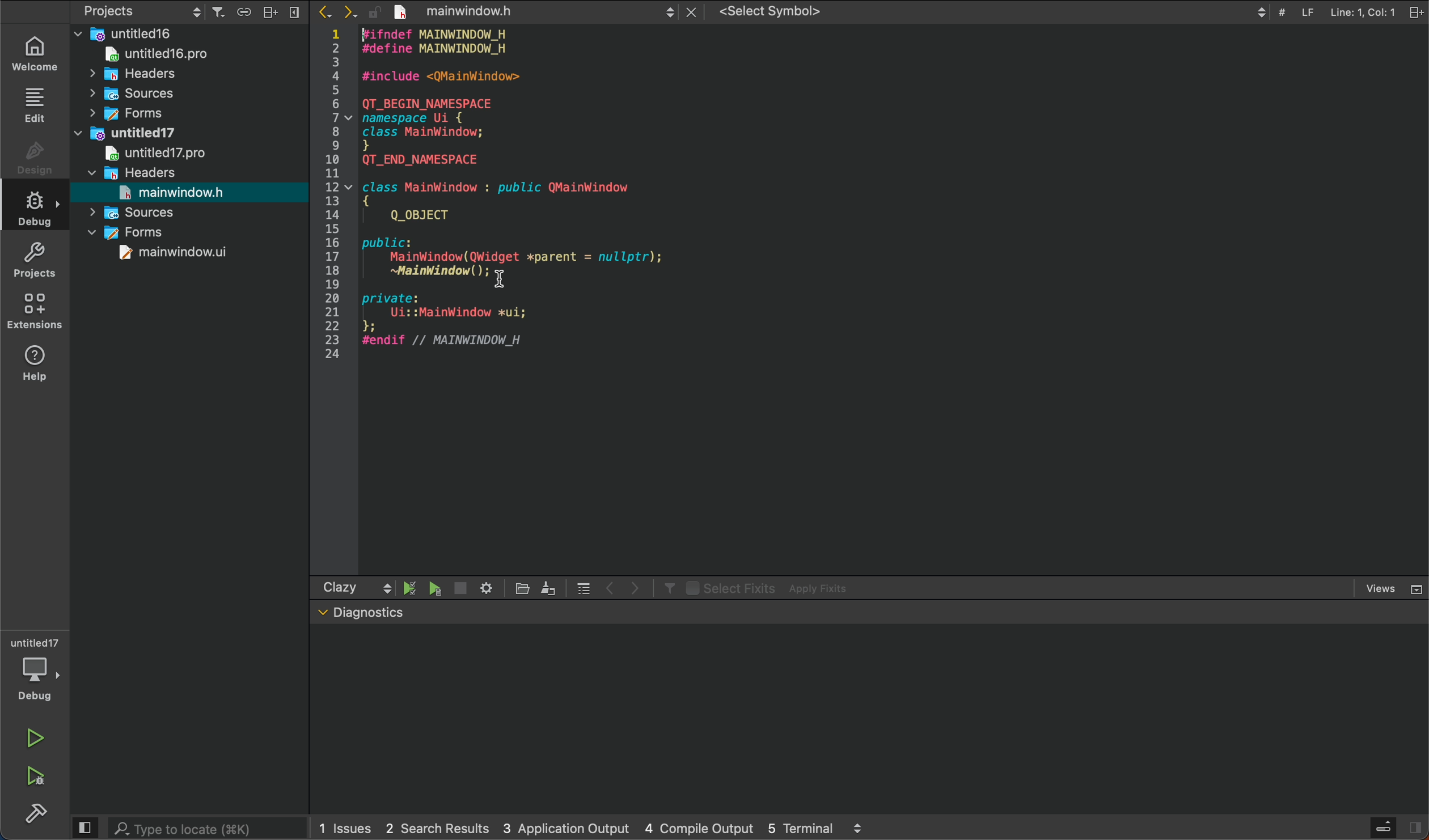 The image size is (1429, 840). Describe the element at coordinates (38, 53) in the screenshot. I see `WELCOME` at that location.